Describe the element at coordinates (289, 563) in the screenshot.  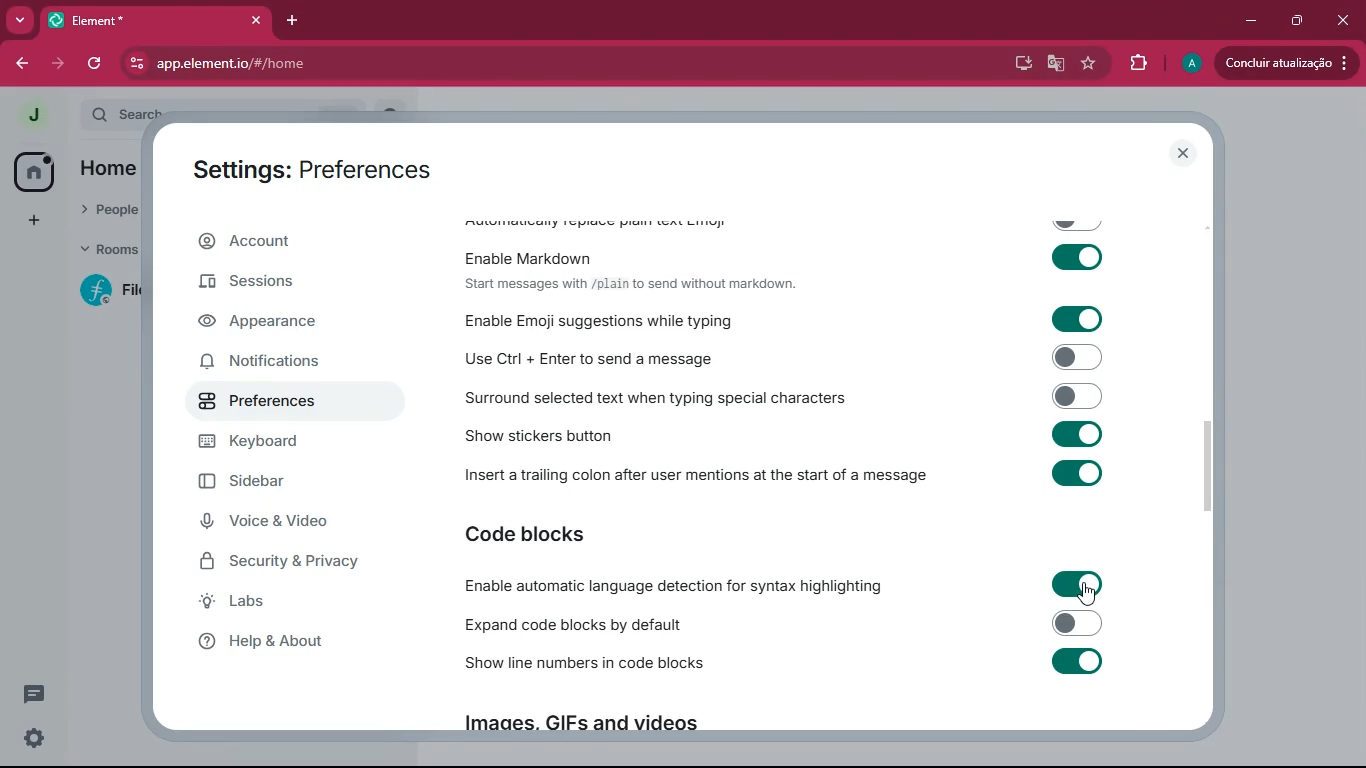
I see `security & Privacy` at that location.